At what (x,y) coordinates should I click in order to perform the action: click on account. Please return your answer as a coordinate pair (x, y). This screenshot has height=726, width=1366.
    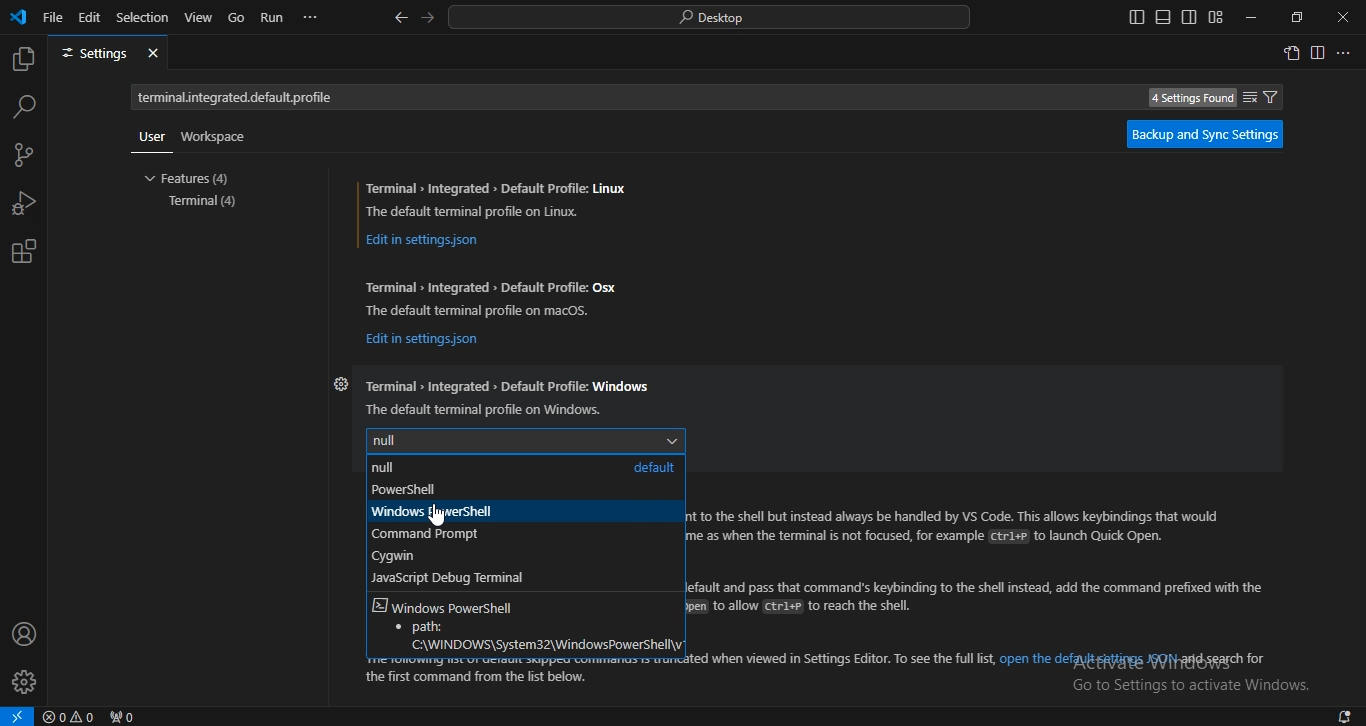
    Looking at the image, I should click on (23, 635).